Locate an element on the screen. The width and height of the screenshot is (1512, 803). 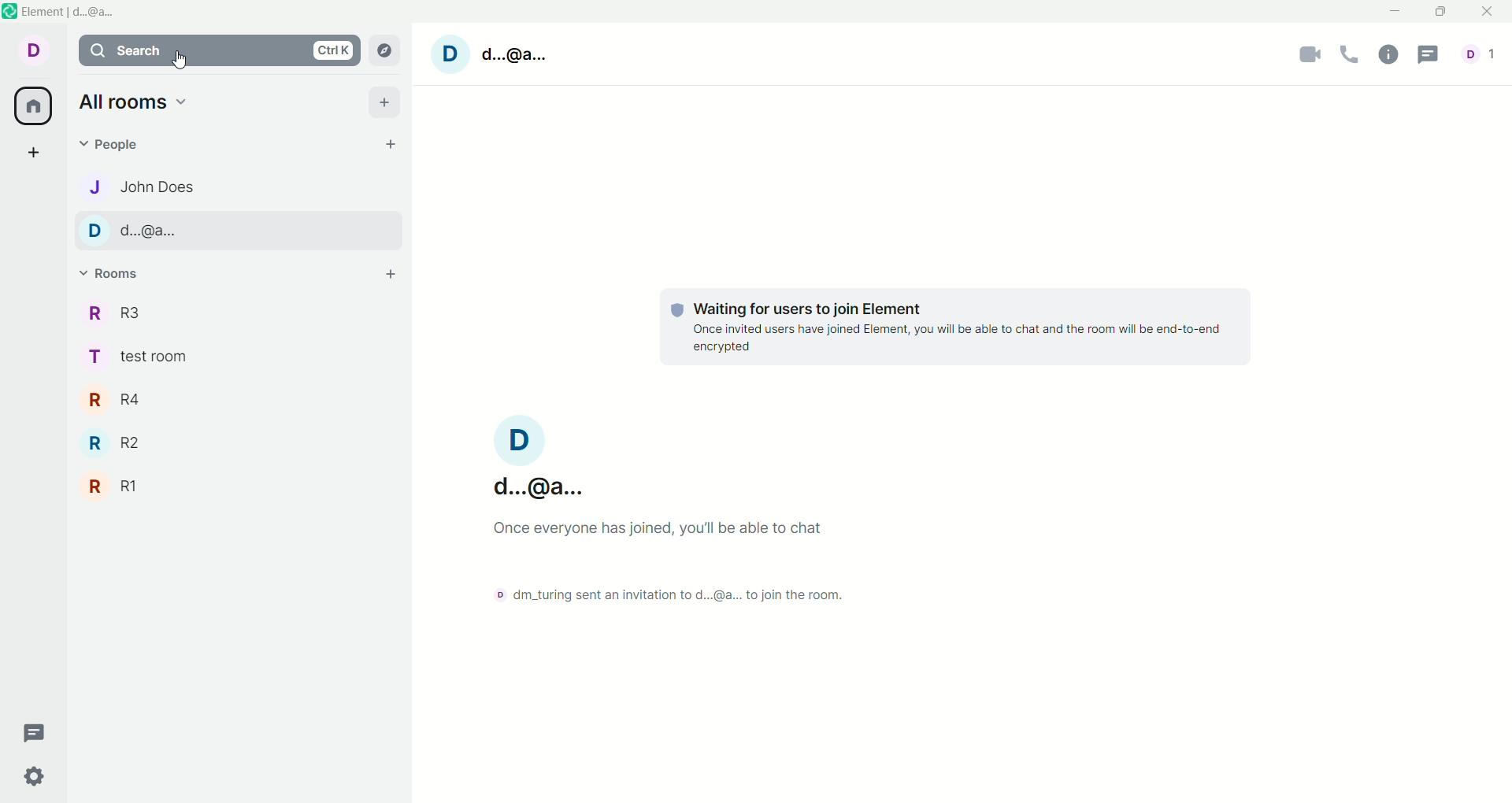
Software logo is located at coordinates (9, 11).